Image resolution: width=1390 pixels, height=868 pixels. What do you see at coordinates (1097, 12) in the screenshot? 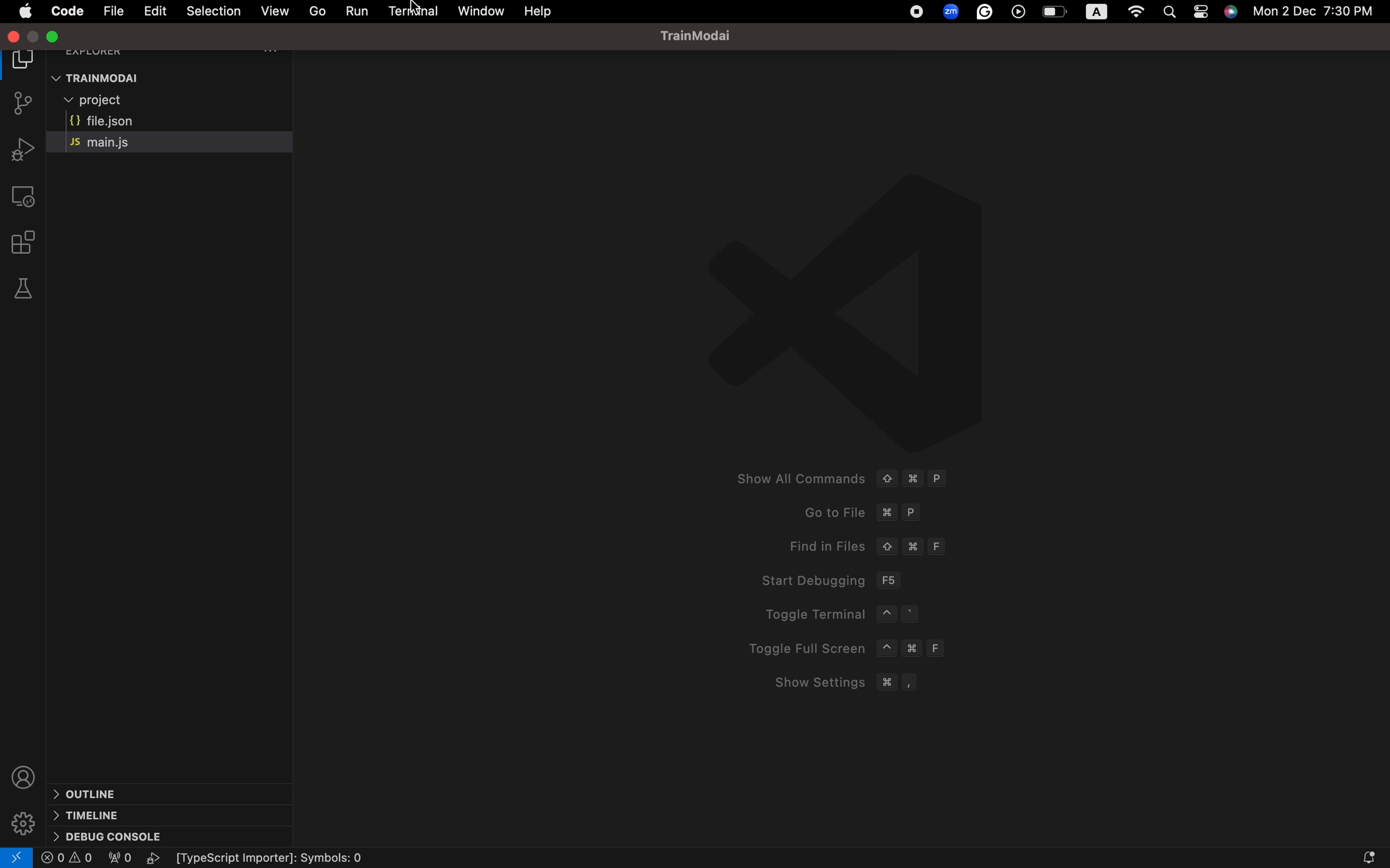
I see `Auto brighness` at bounding box center [1097, 12].